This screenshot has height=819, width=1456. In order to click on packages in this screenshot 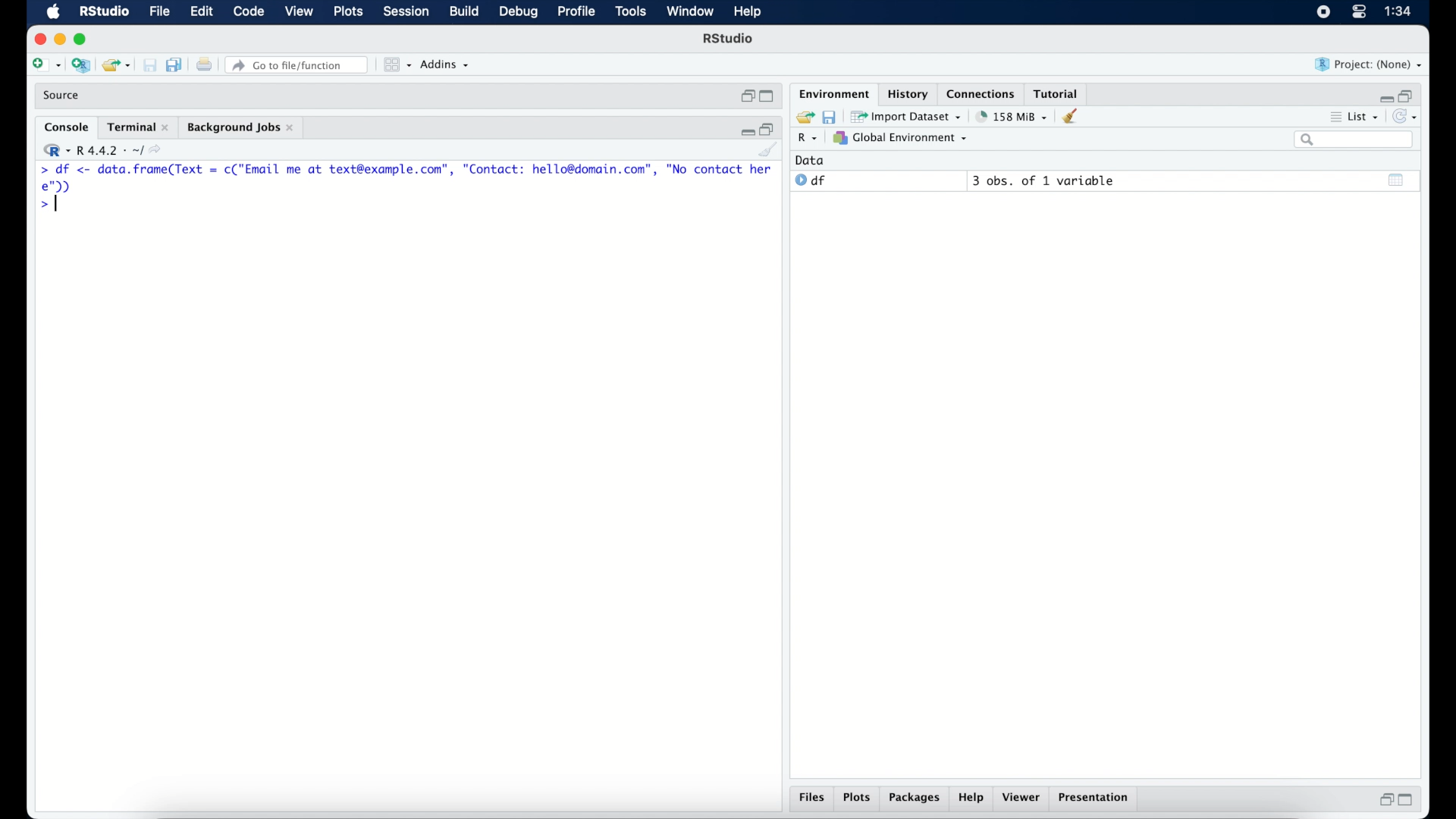, I will do `click(914, 799)`.